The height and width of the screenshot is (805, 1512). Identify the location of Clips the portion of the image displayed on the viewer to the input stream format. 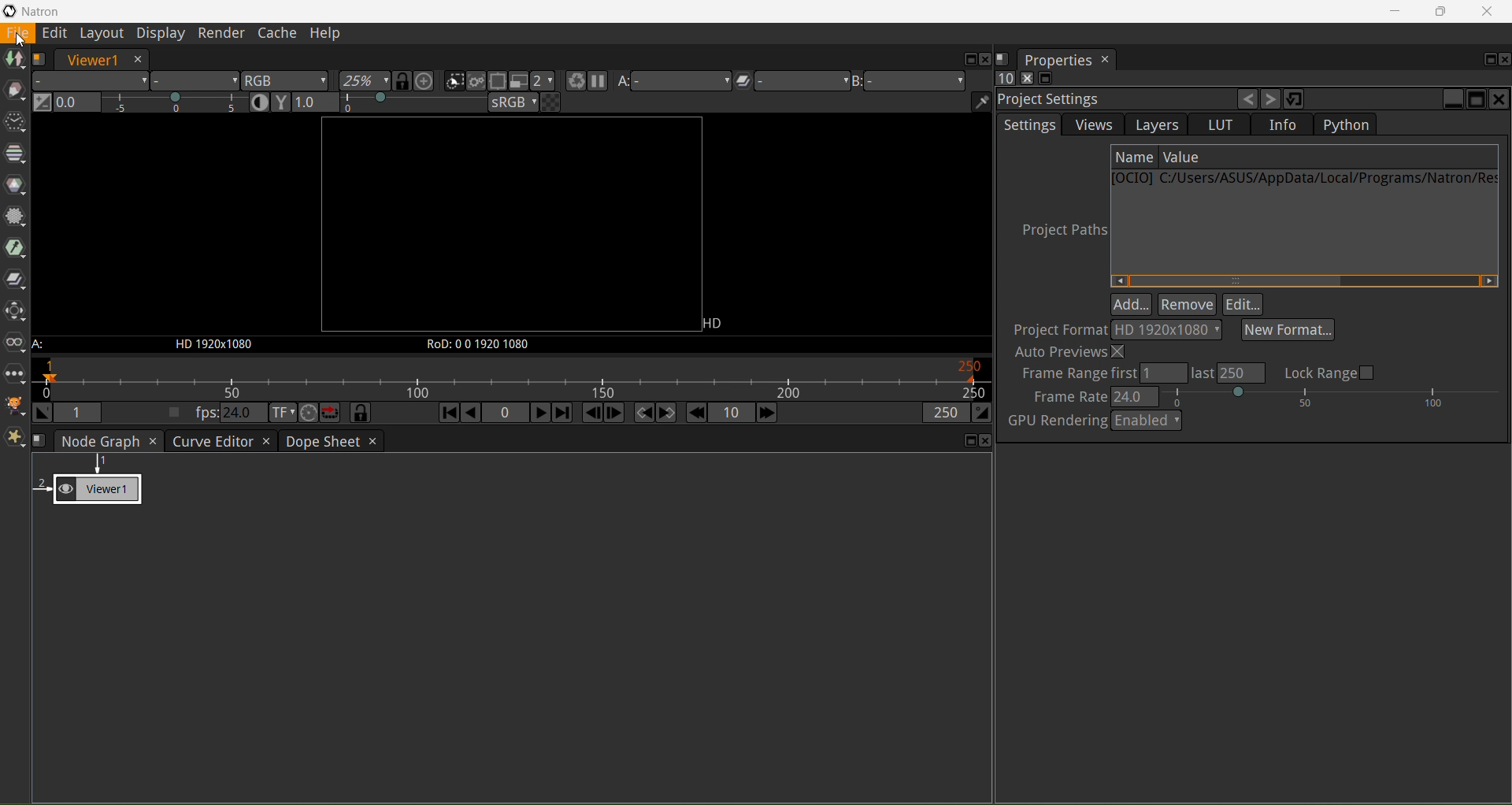
(454, 82).